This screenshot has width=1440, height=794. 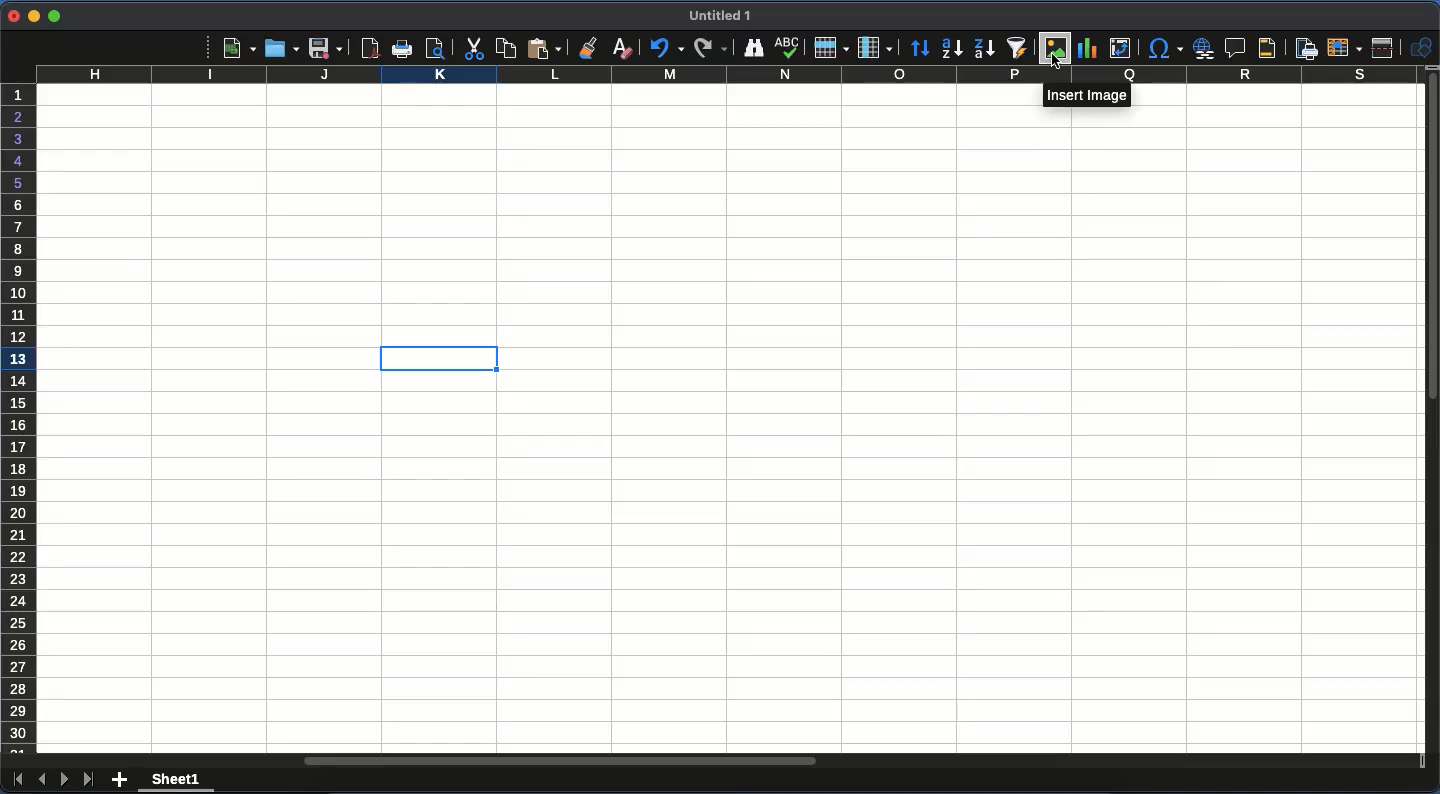 What do you see at coordinates (472, 50) in the screenshot?
I see `cut` at bounding box center [472, 50].